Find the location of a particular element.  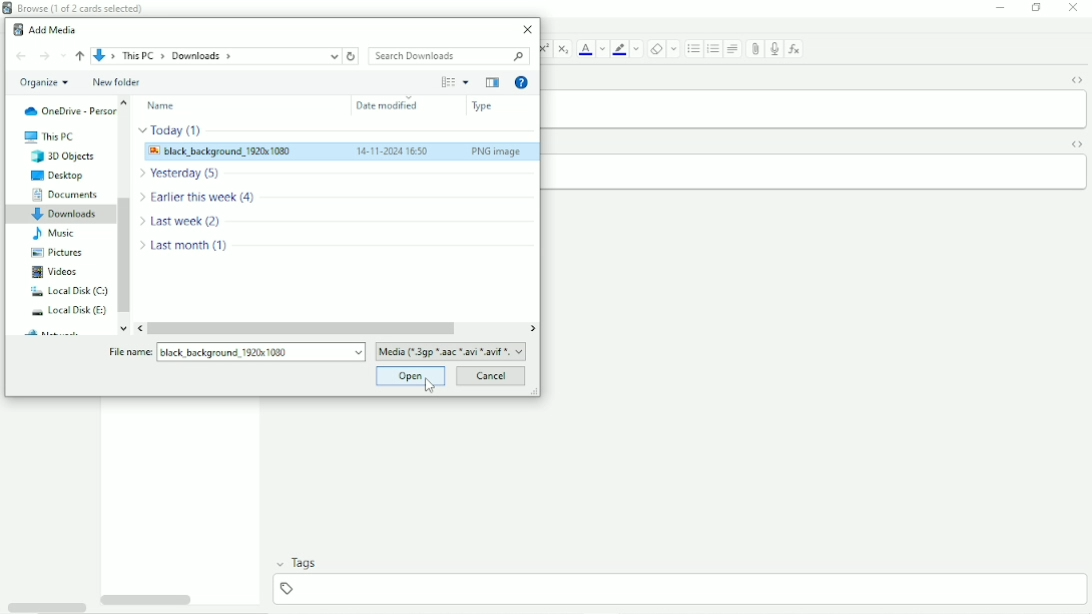

Downloads is located at coordinates (69, 215).